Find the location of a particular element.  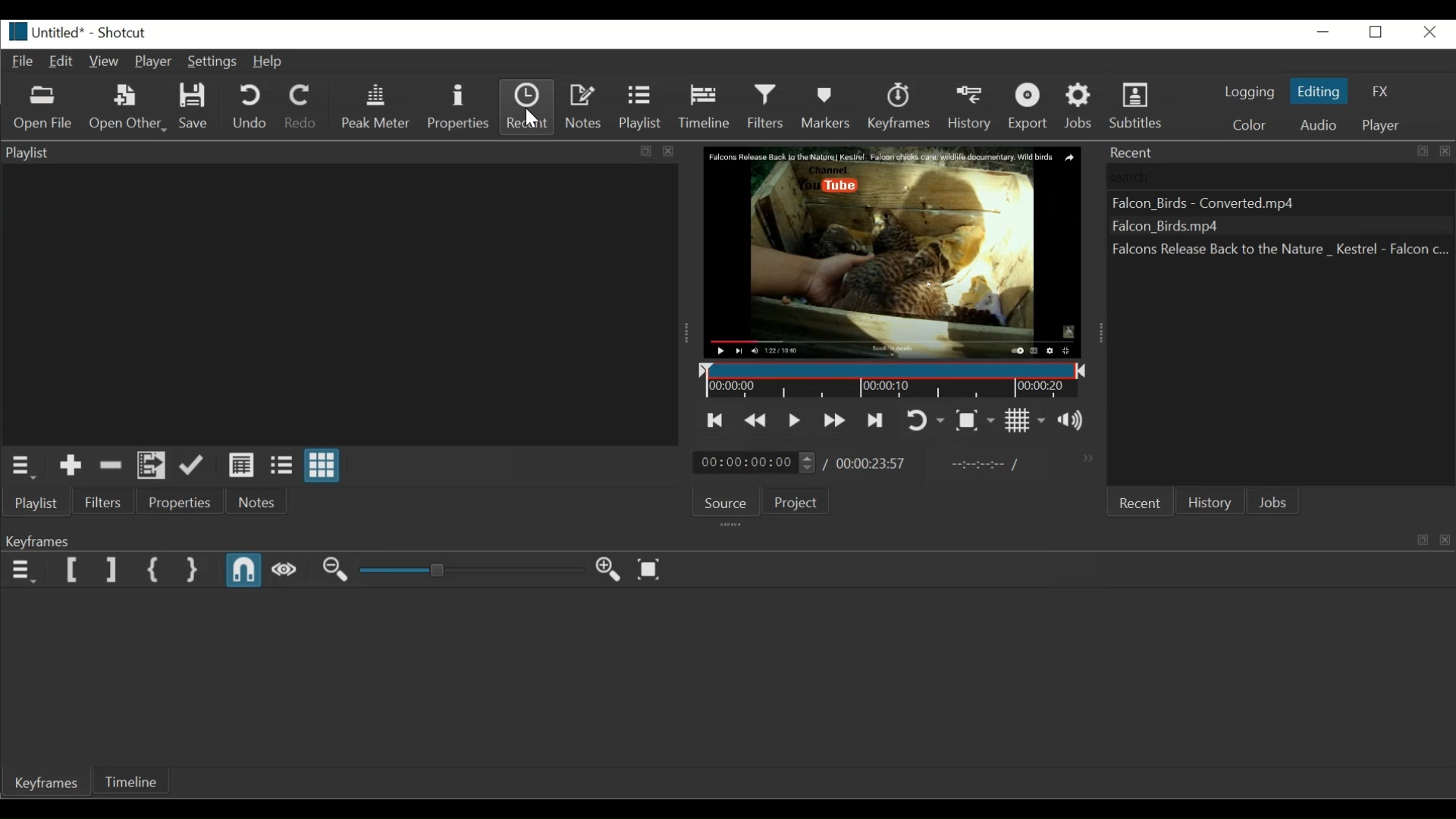

Redo is located at coordinates (301, 108).